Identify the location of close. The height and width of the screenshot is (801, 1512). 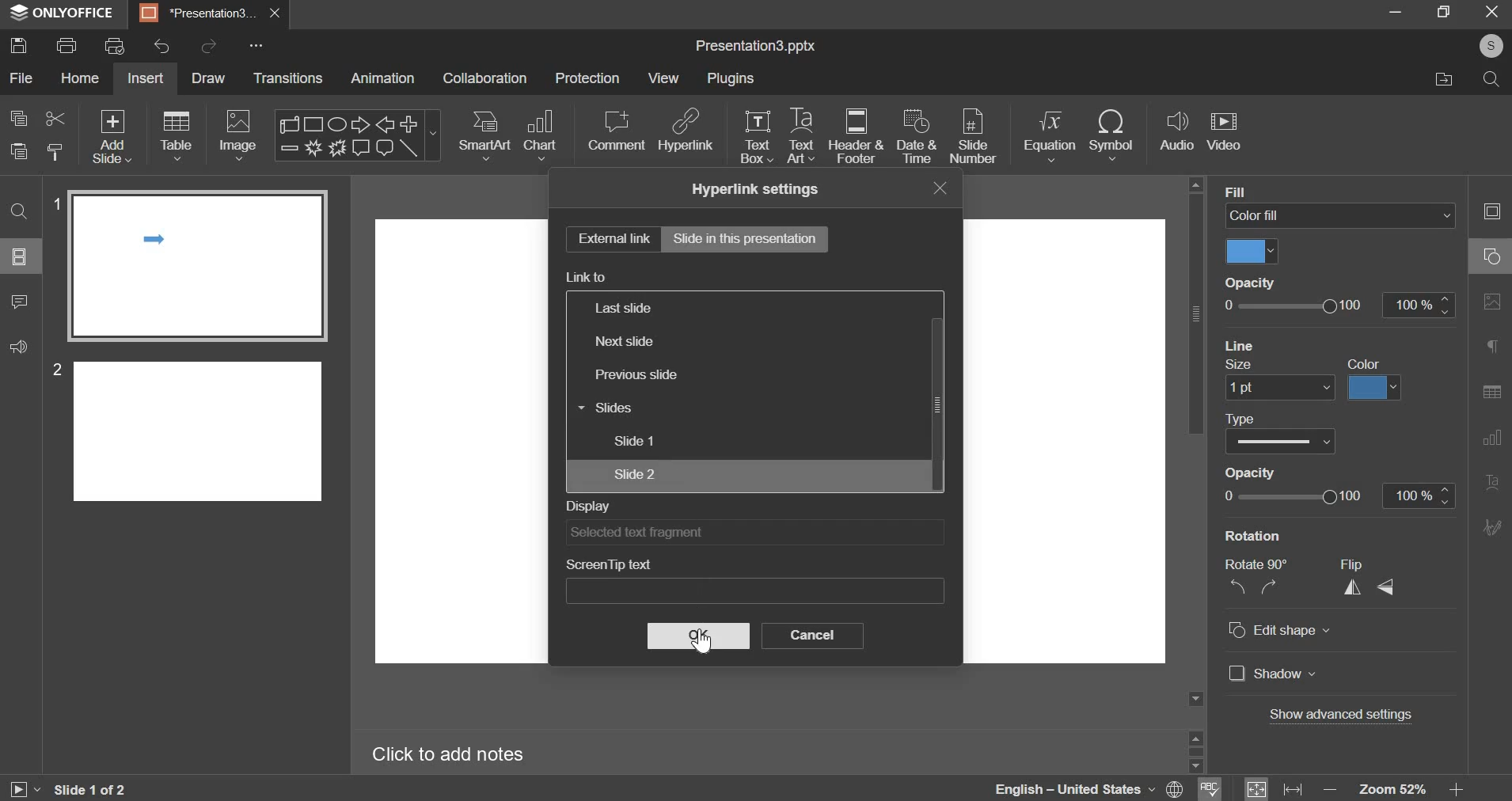
(275, 13).